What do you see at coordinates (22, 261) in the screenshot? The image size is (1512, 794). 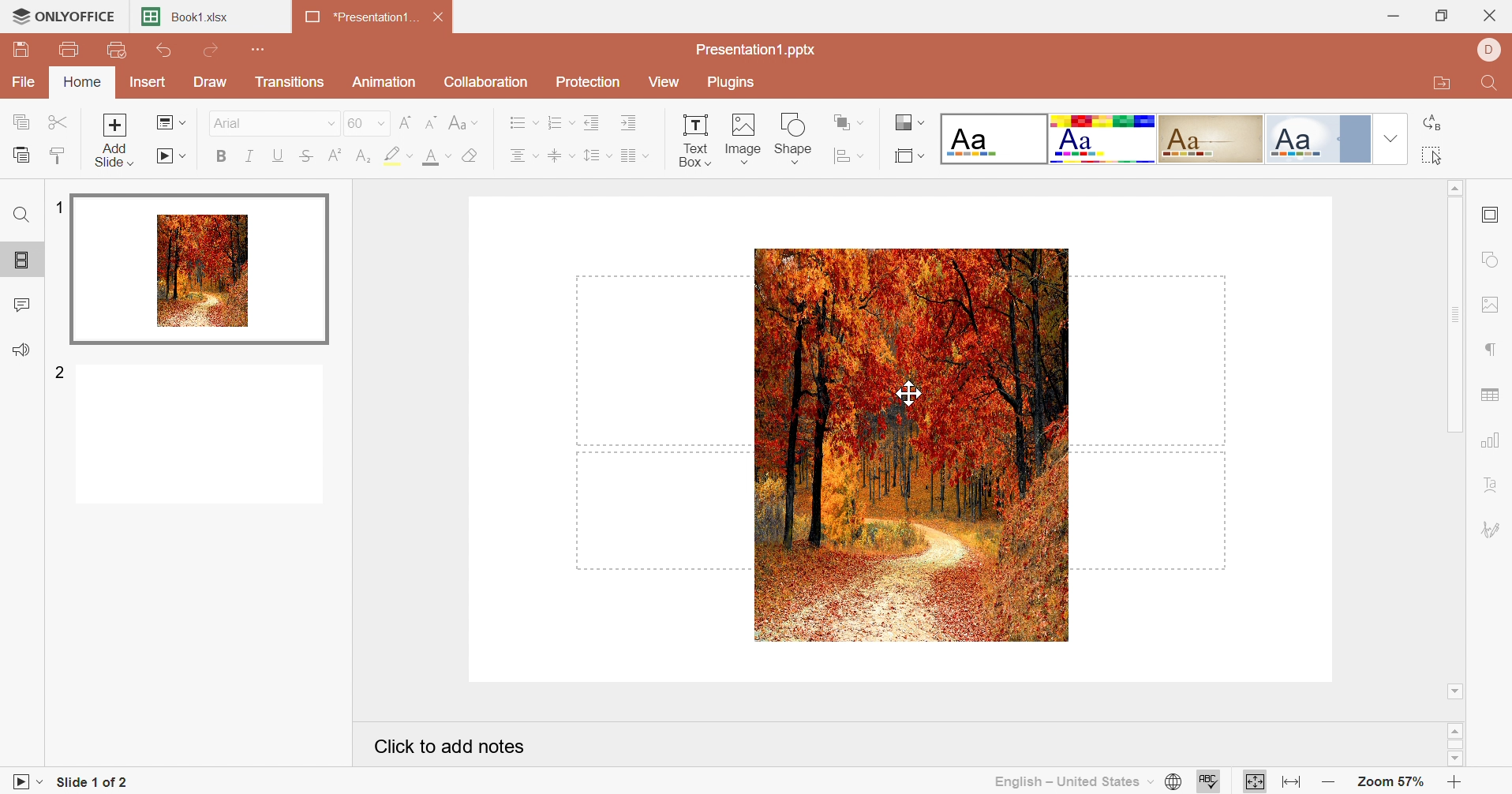 I see `Slides` at bounding box center [22, 261].